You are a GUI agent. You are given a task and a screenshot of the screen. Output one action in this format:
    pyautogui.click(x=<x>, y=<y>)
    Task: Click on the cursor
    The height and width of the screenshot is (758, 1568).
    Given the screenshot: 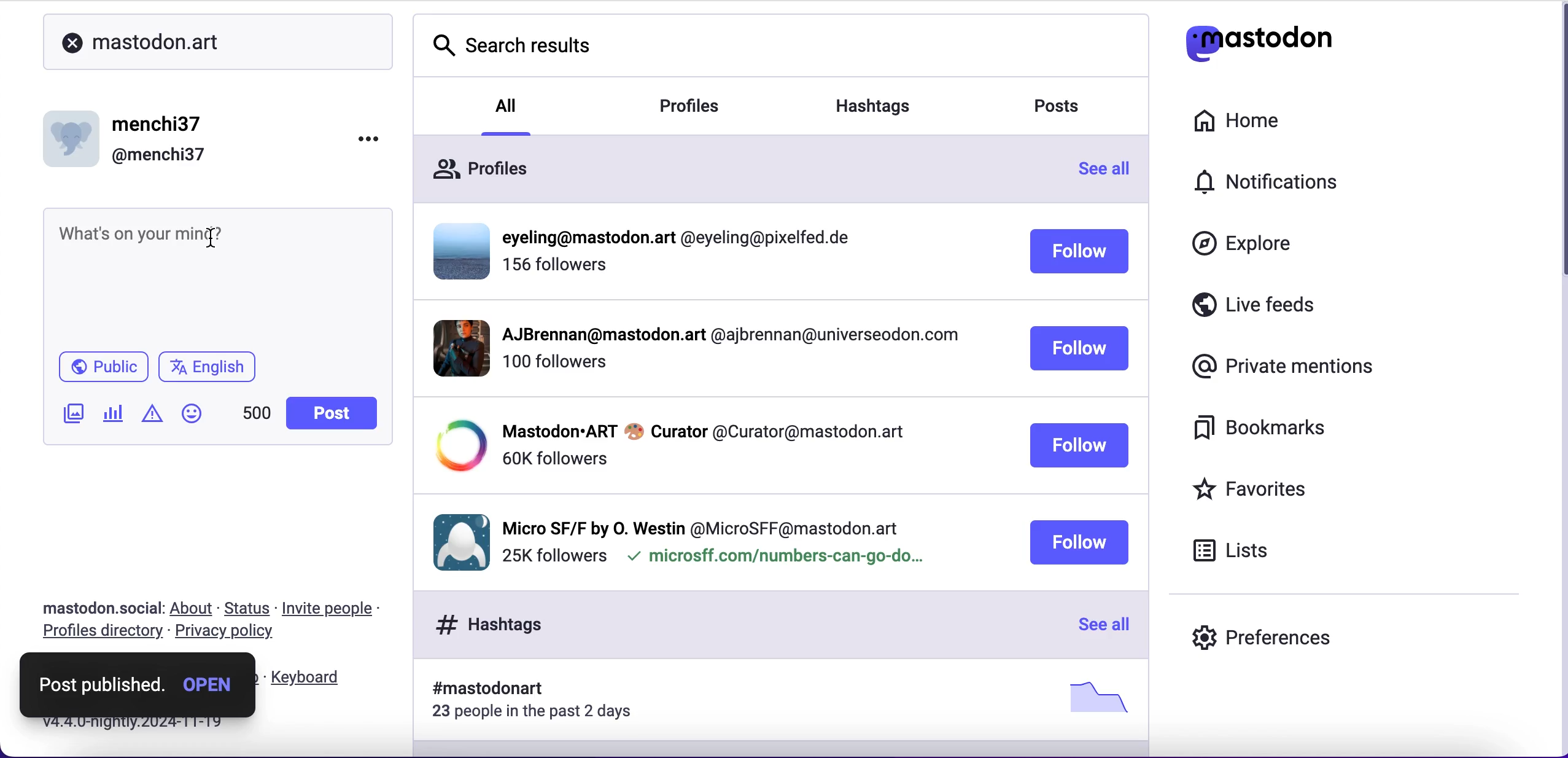 What is the action you would take?
    pyautogui.click(x=208, y=239)
    